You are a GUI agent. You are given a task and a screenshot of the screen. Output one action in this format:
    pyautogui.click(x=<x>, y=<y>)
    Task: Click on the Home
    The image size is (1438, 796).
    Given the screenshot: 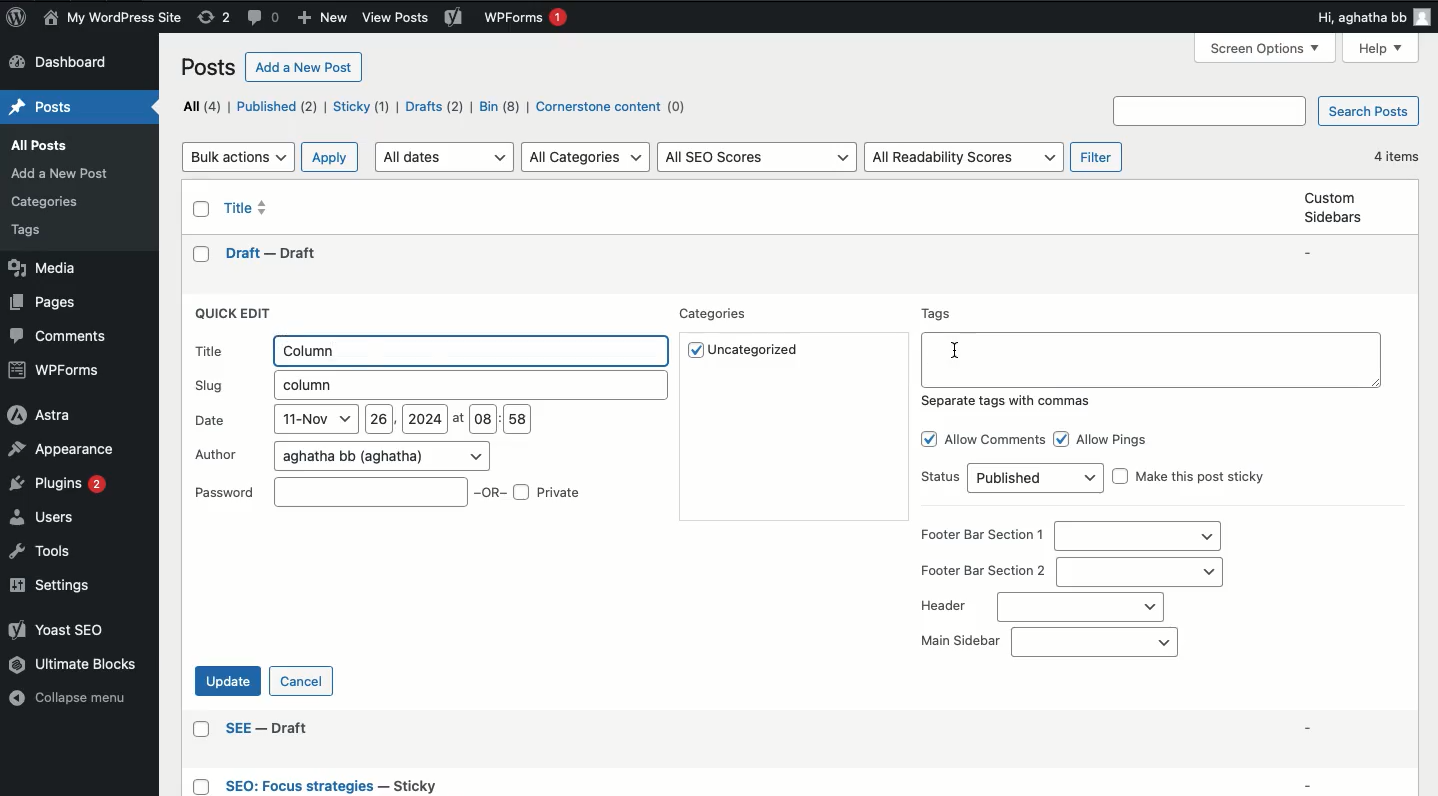 What is the action you would take?
    pyautogui.click(x=39, y=108)
    